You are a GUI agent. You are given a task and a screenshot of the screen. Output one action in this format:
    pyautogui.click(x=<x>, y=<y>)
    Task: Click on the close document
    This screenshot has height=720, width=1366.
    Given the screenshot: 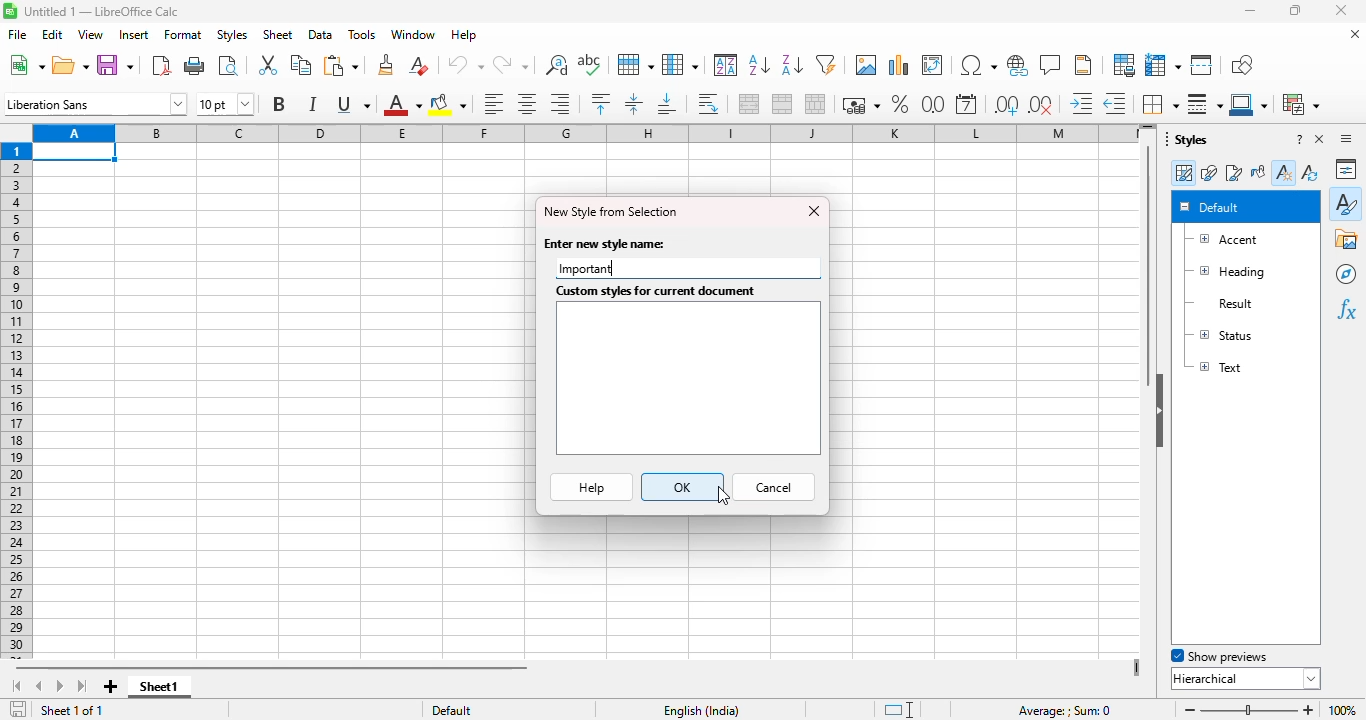 What is the action you would take?
    pyautogui.click(x=1354, y=33)
    